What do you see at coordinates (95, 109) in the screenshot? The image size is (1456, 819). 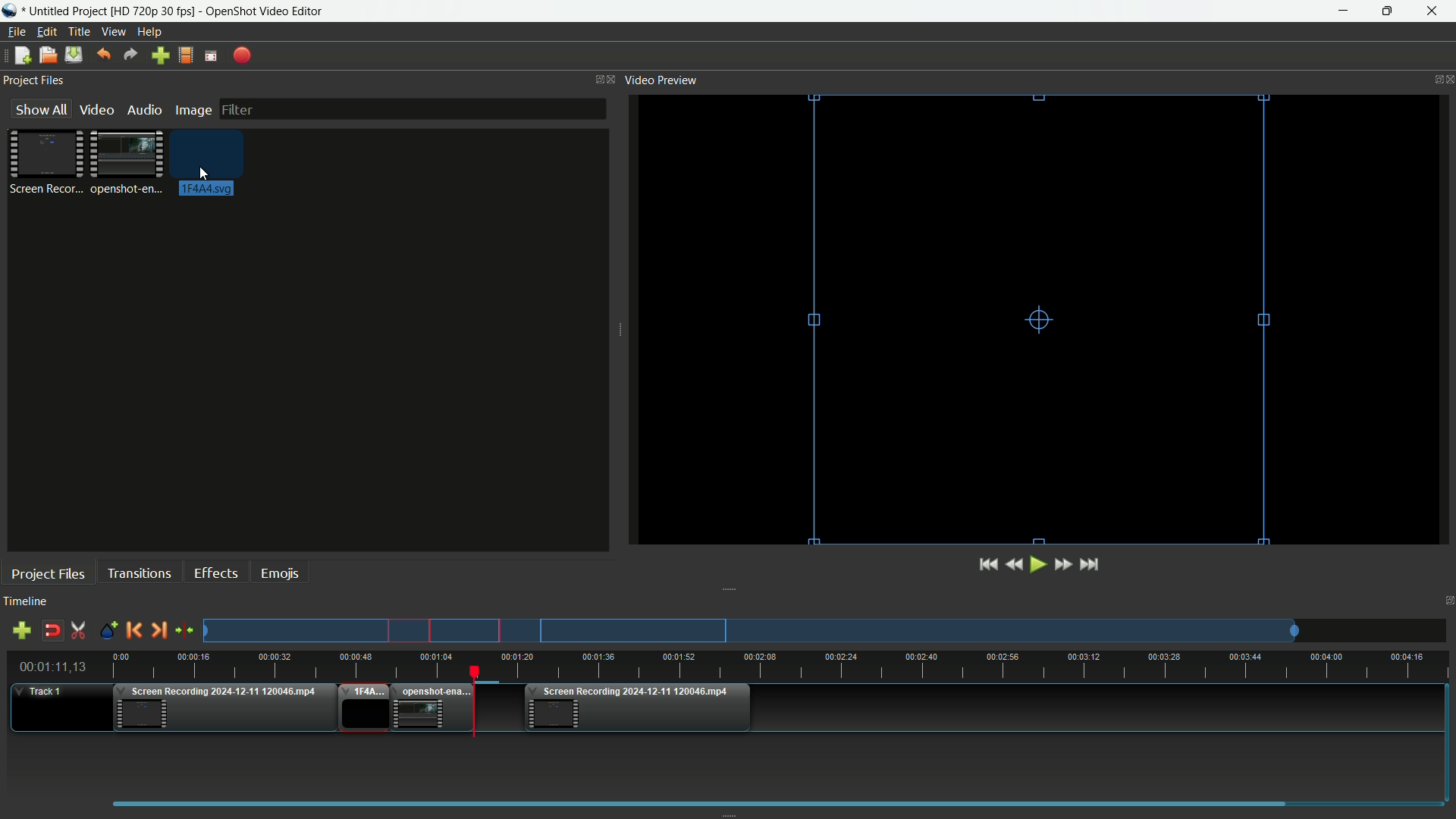 I see `Video` at bounding box center [95, 109].